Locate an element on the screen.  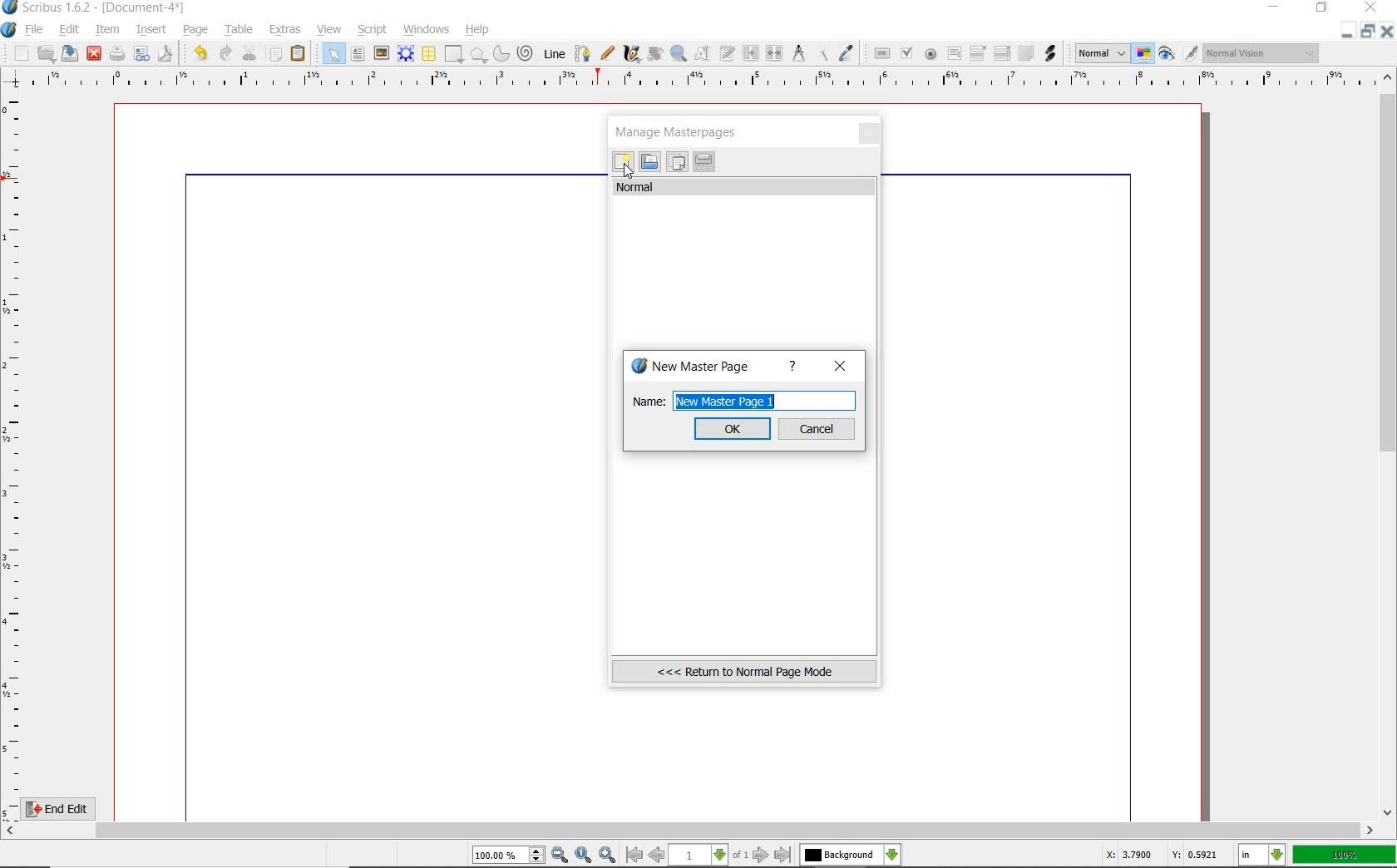
zoom in or zoom out is located at coordinates (679, 53).